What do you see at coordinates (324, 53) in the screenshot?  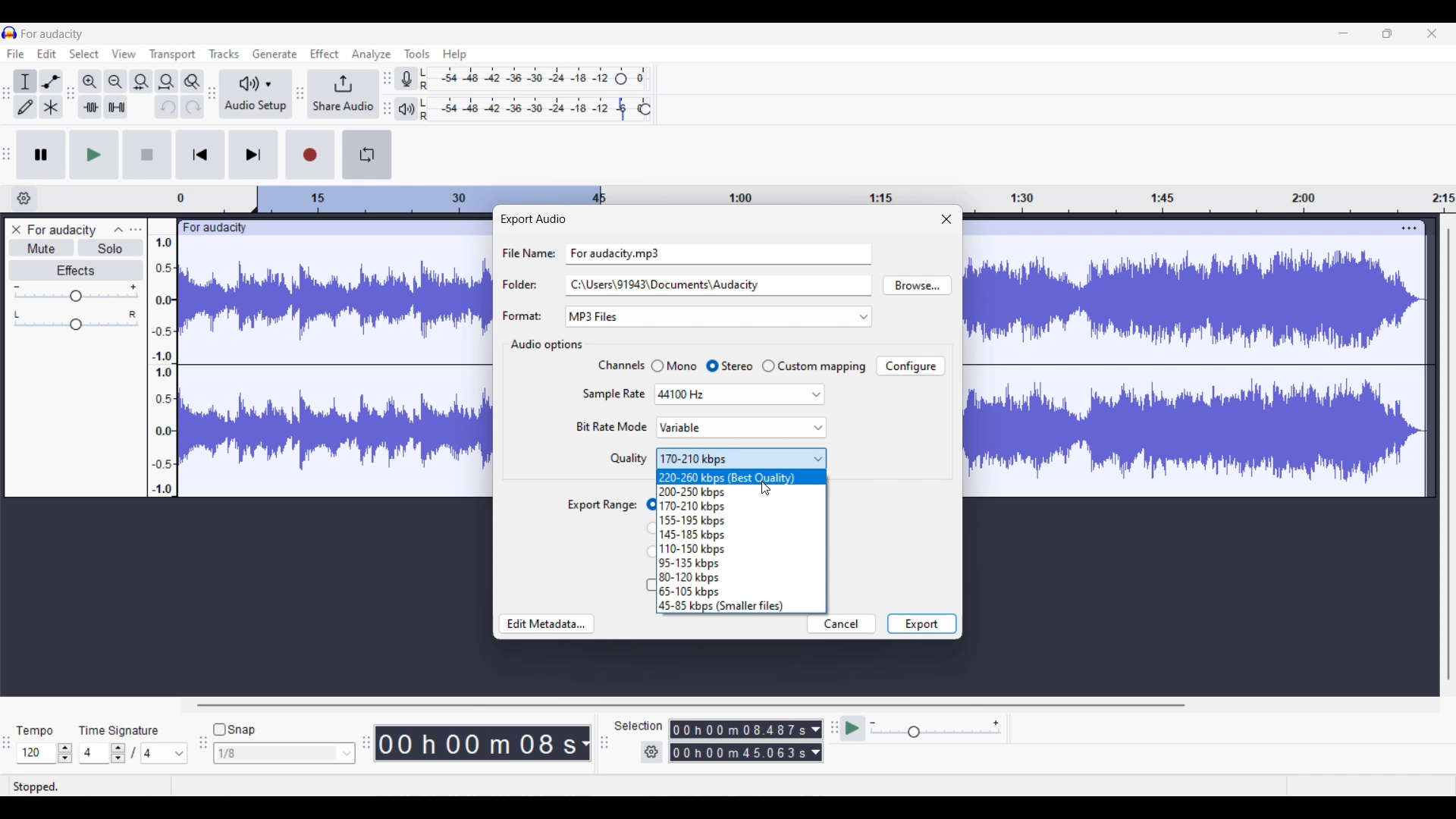 I see `Effect menu` at bounding box center [324, 53].